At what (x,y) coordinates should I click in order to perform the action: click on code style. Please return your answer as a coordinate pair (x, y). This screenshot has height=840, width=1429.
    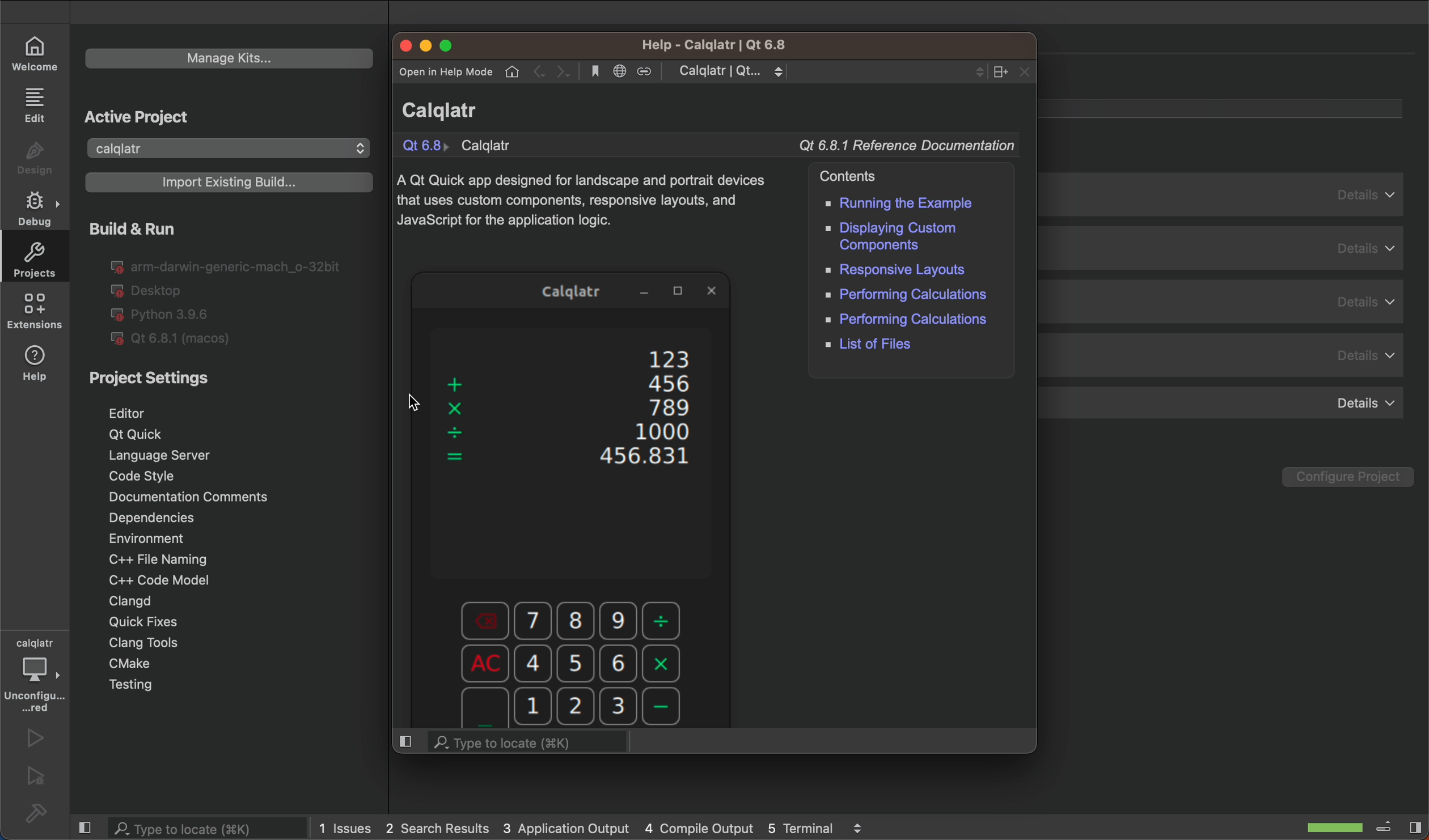
    Looking at the image, I should click on (153, 477).